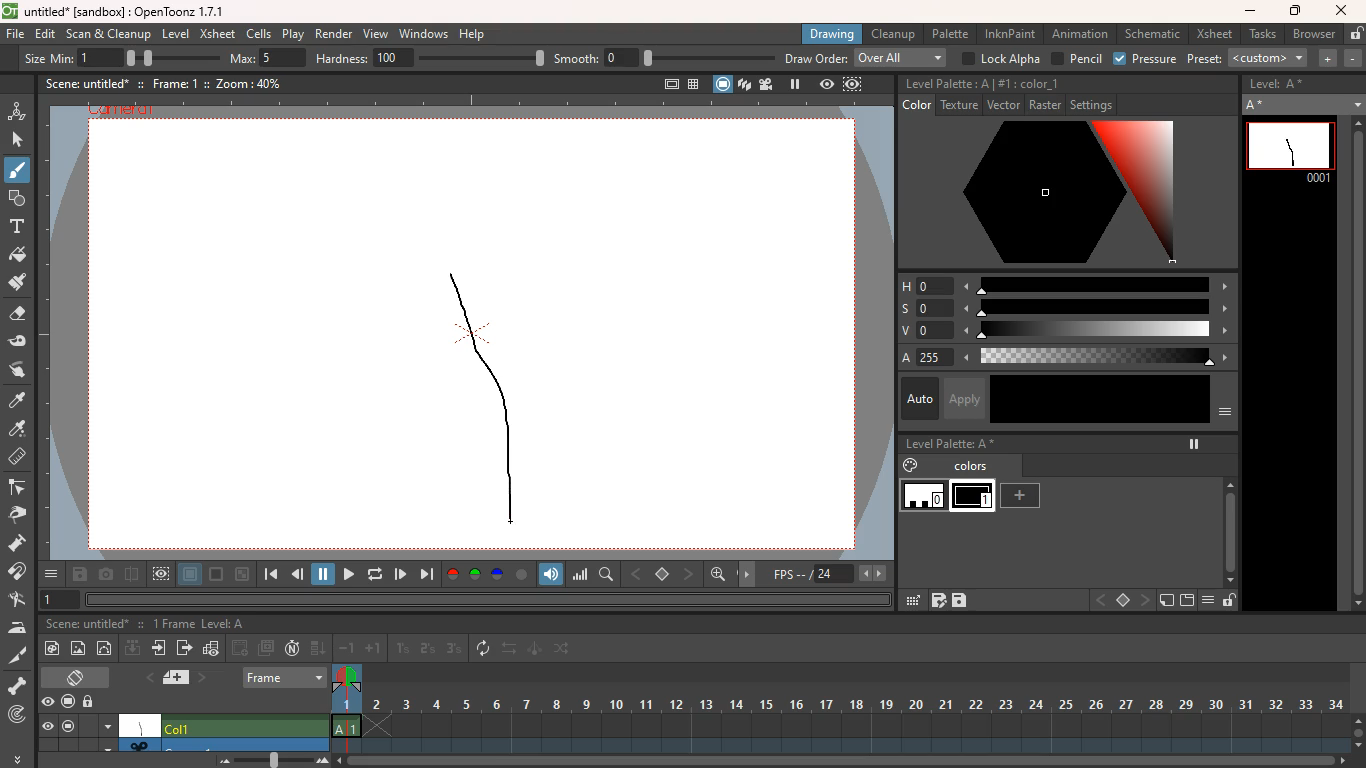 This screenshot has height=768, width=1366. Describe the element at coordinates (1010, 34) in the screenshot. I see `inknpaint` at that location.